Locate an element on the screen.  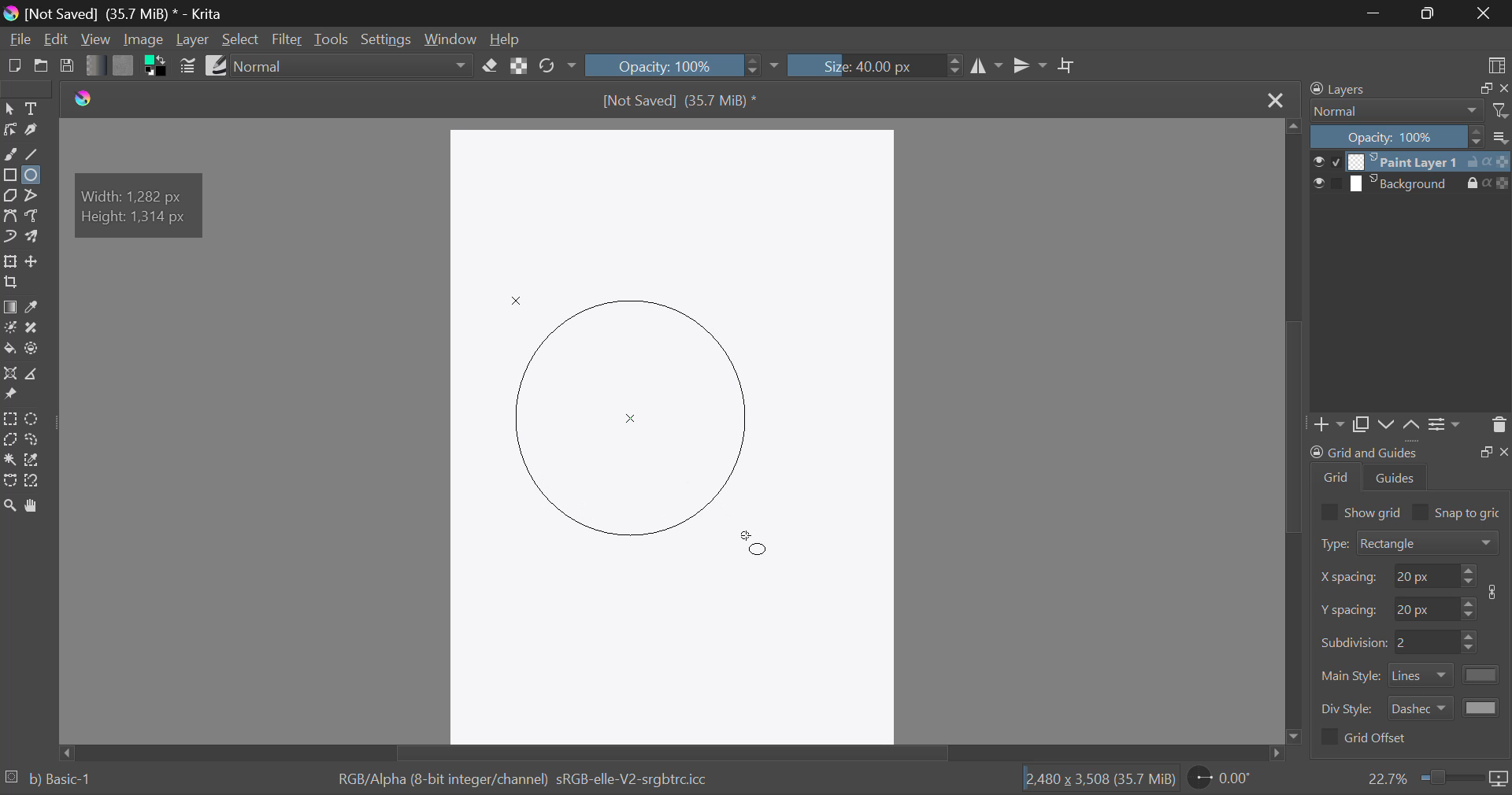
Opacity is located at coordinates (1411, 138).